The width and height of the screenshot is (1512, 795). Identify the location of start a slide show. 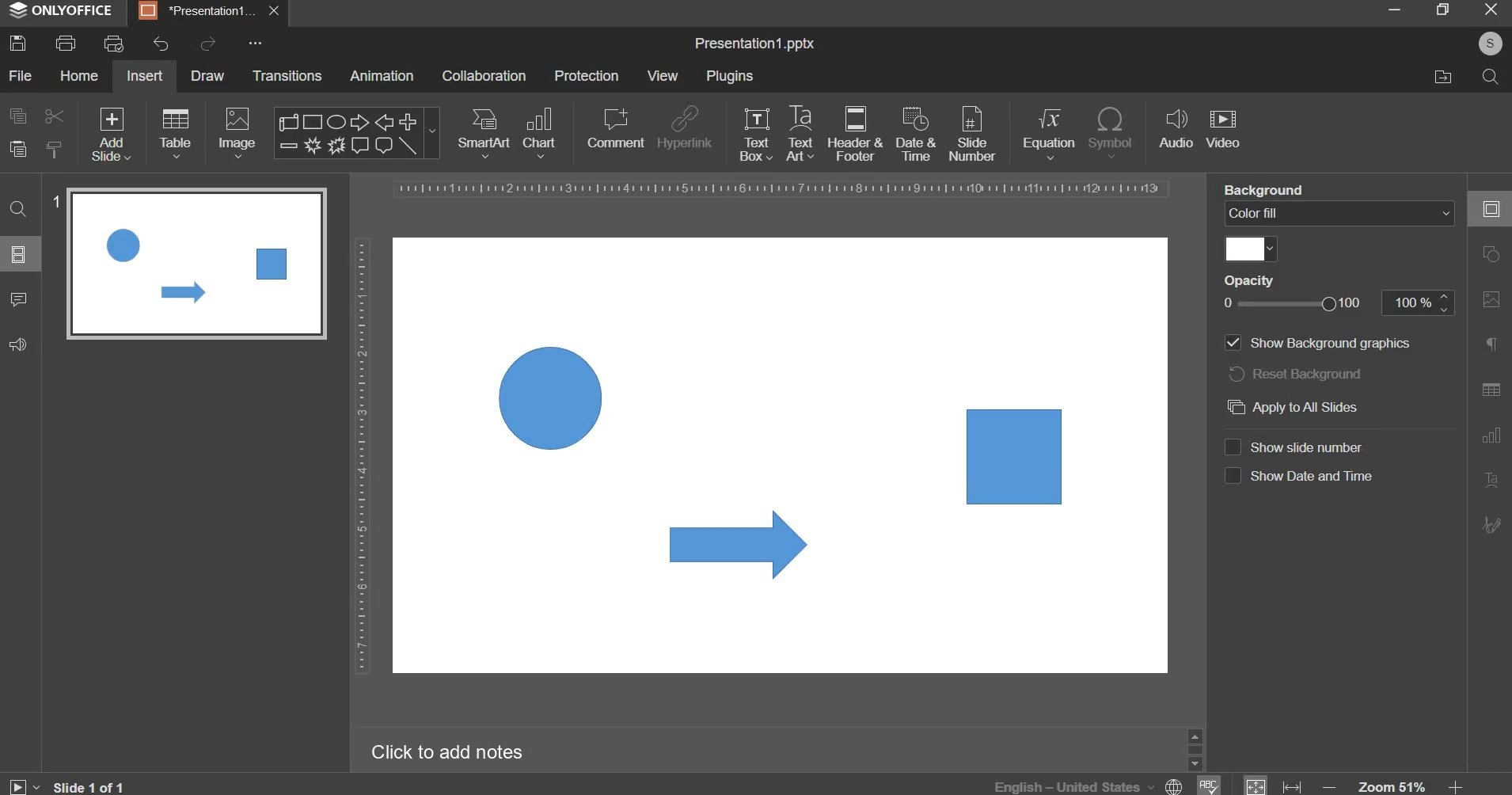
(20, 784).